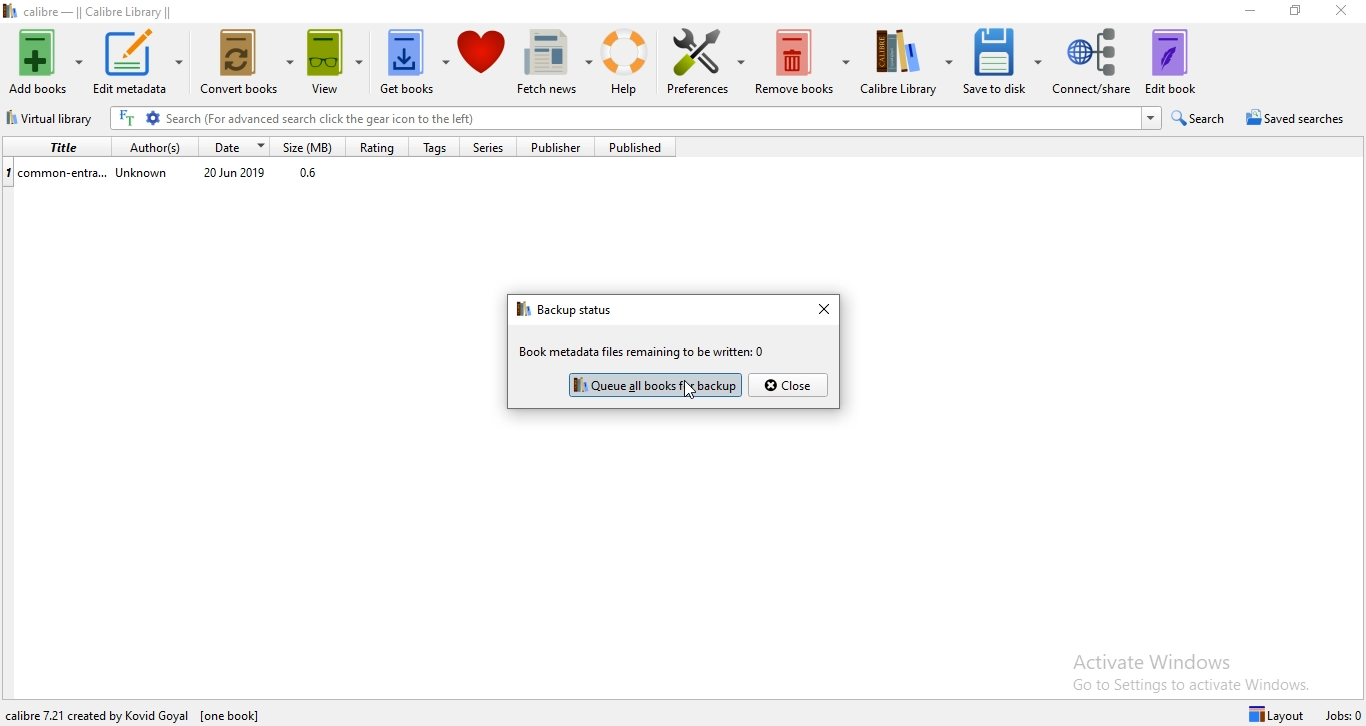  Describe the element at coordinates (484, 64) in the screenshot. I see `Donate to calibre` at that location.